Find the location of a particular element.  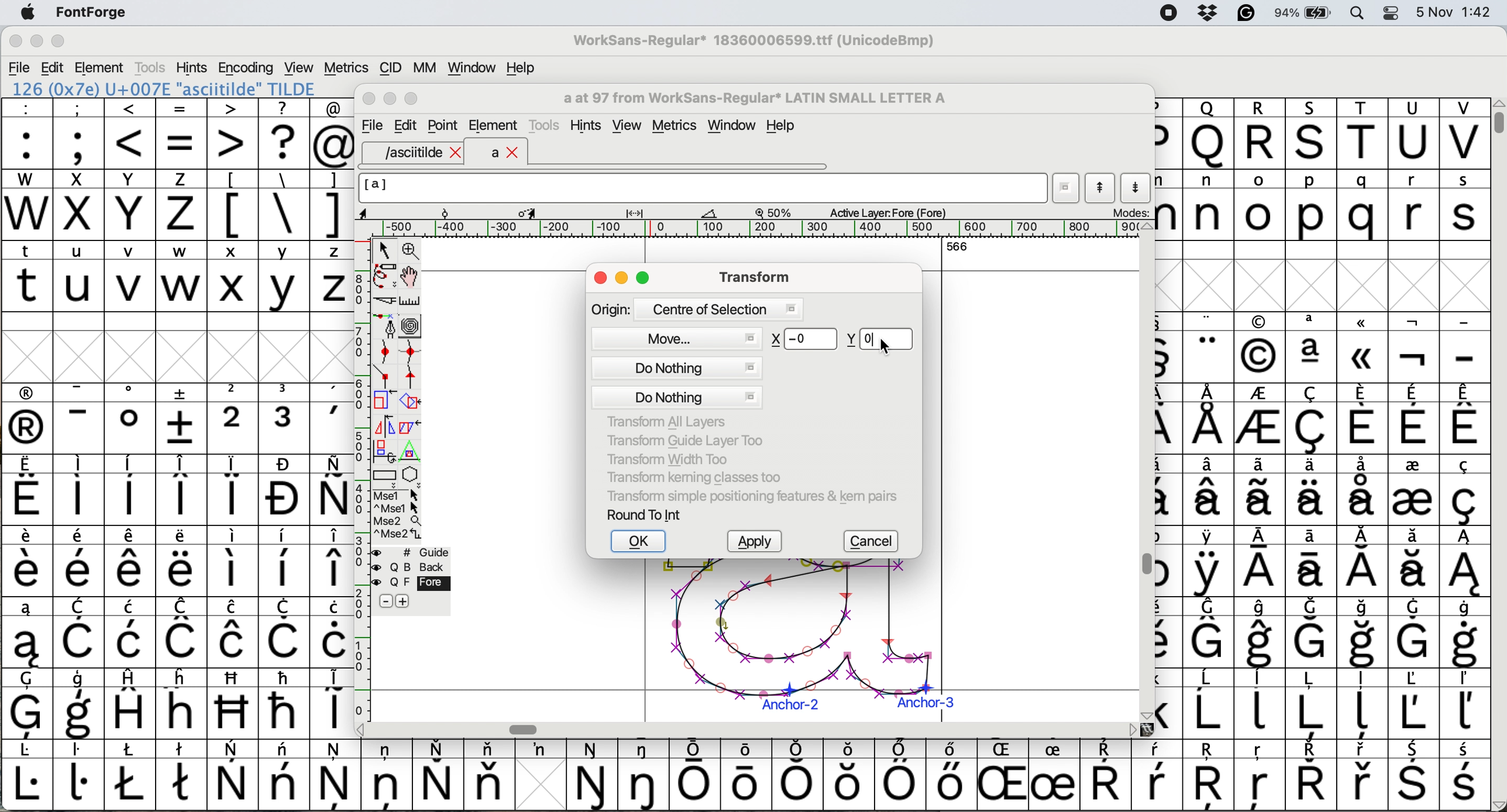

p is located at coordinates (1312, 207).